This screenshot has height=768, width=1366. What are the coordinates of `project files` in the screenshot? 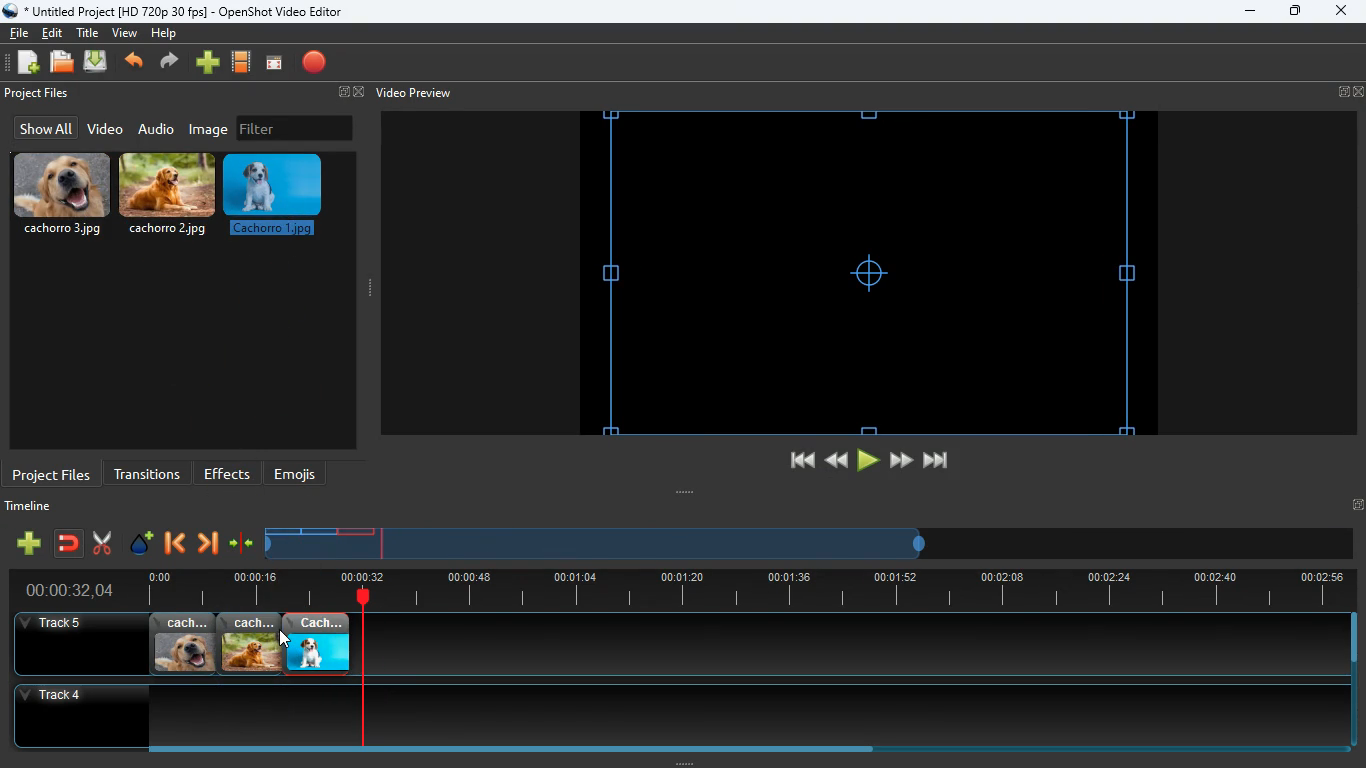 It's located at (52, 473).